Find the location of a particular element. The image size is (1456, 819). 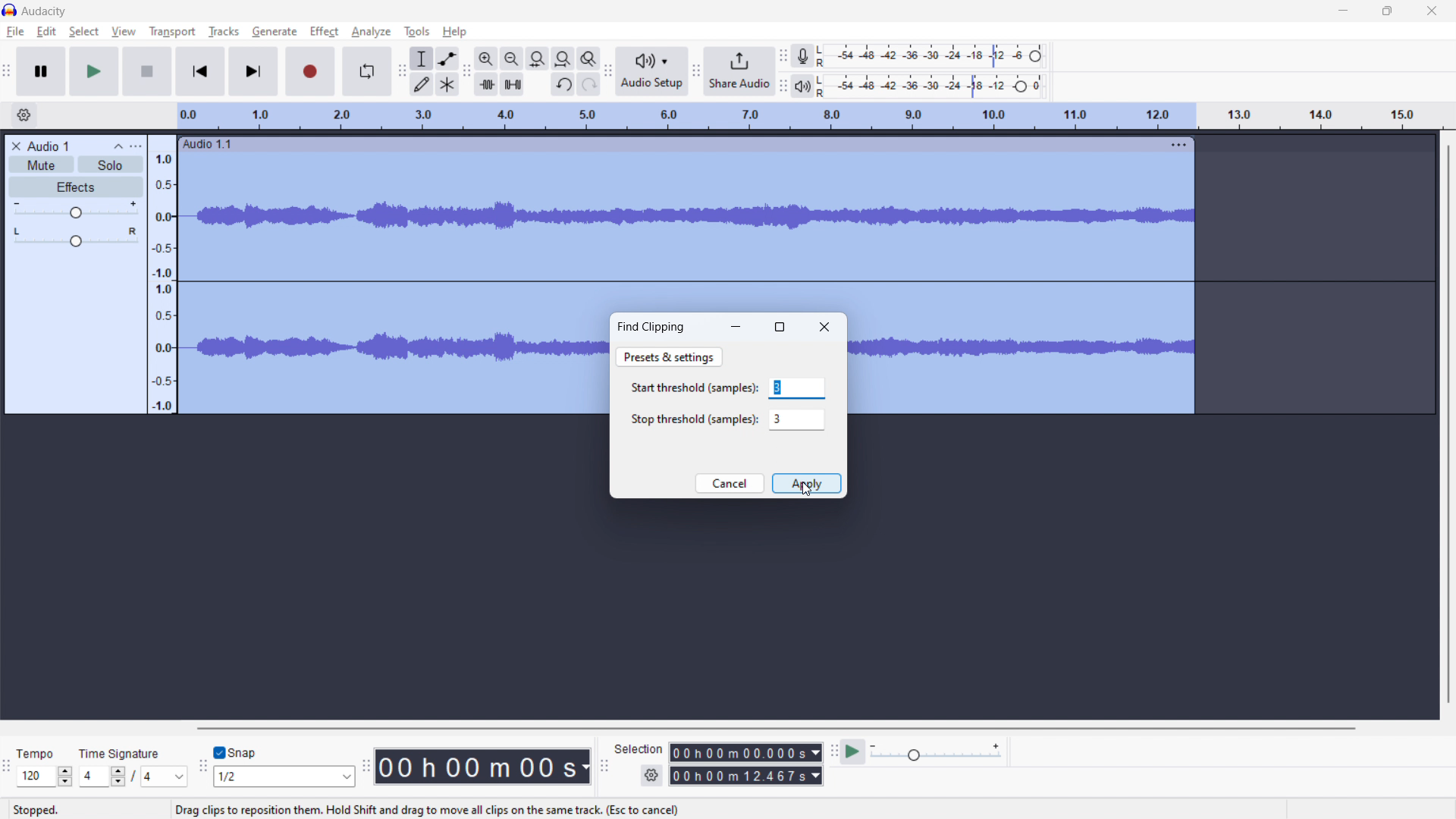

record is located at coordinates (310, 72).